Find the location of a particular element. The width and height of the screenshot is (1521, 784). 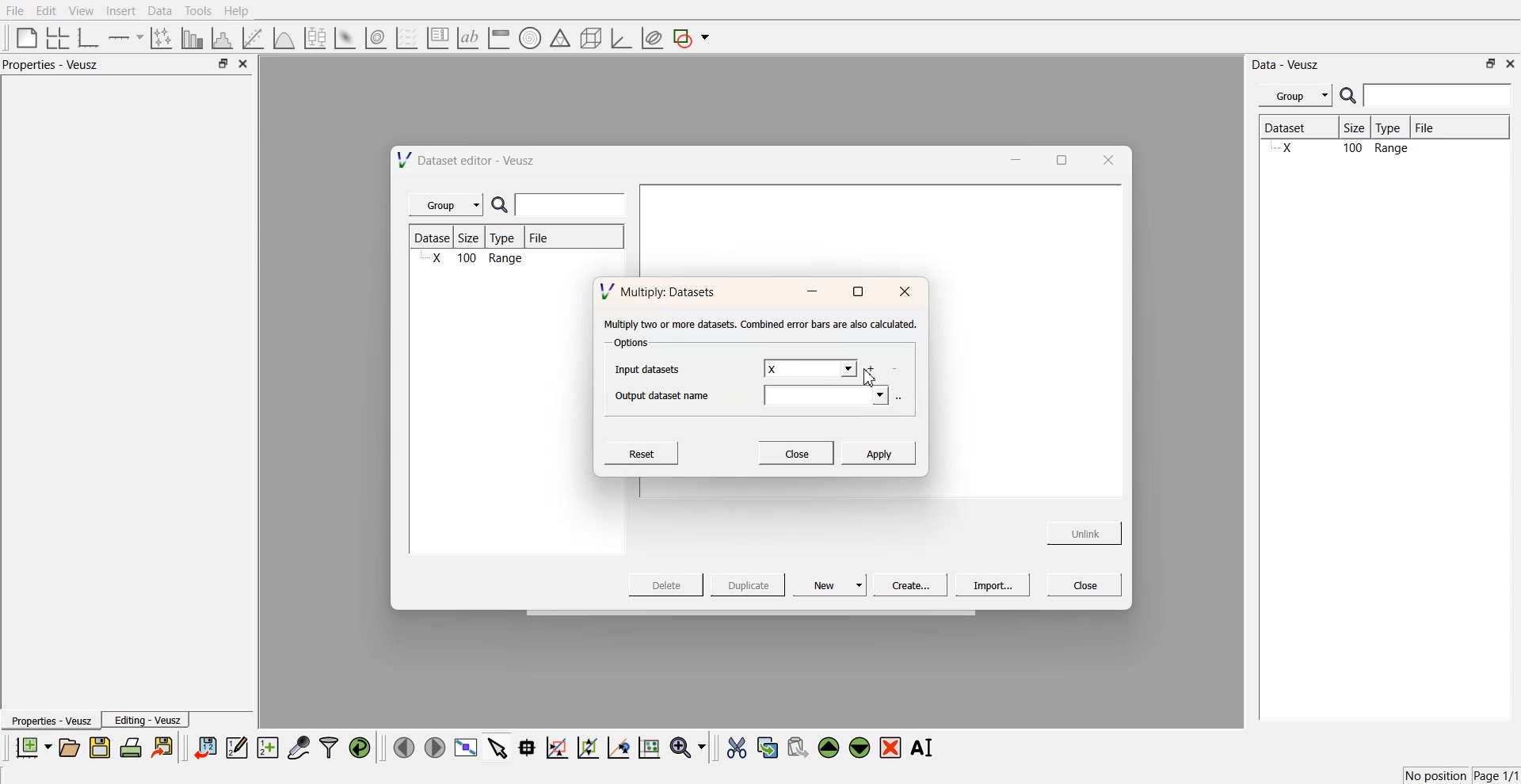

cursor is located at coordinates (871, 379).